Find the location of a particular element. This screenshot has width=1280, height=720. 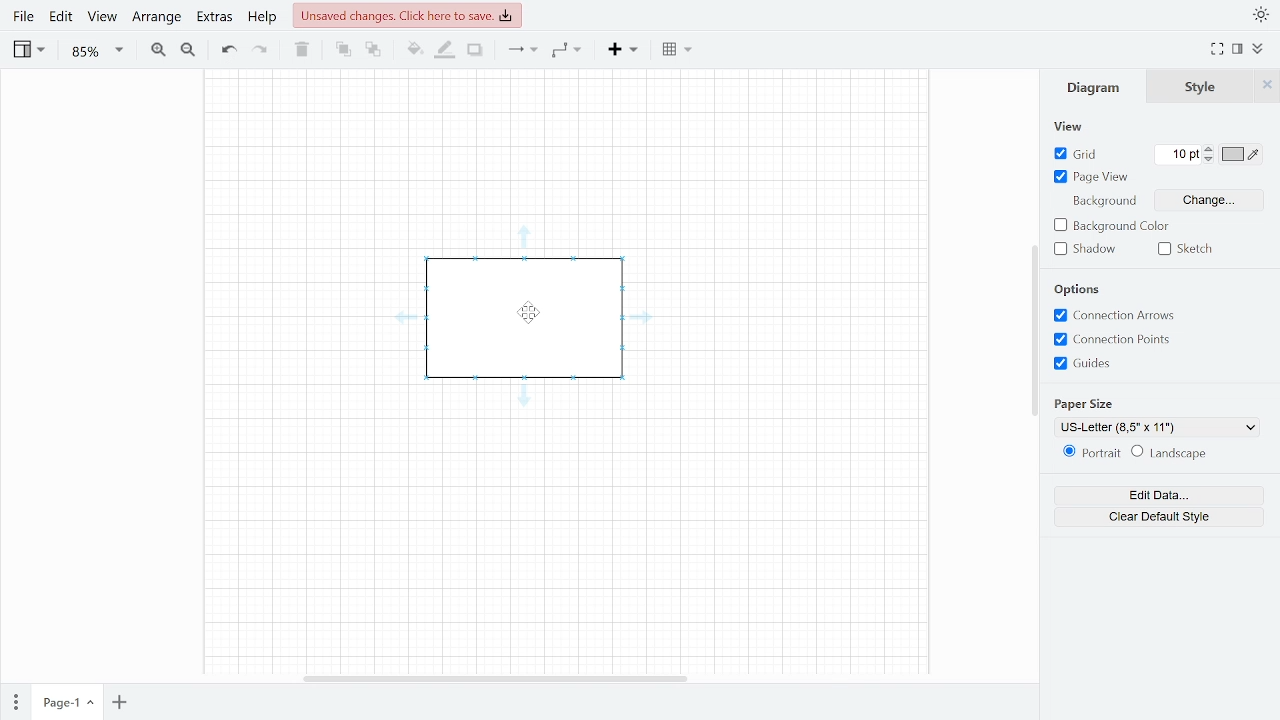

Style is located at coordinates (1201, 86).